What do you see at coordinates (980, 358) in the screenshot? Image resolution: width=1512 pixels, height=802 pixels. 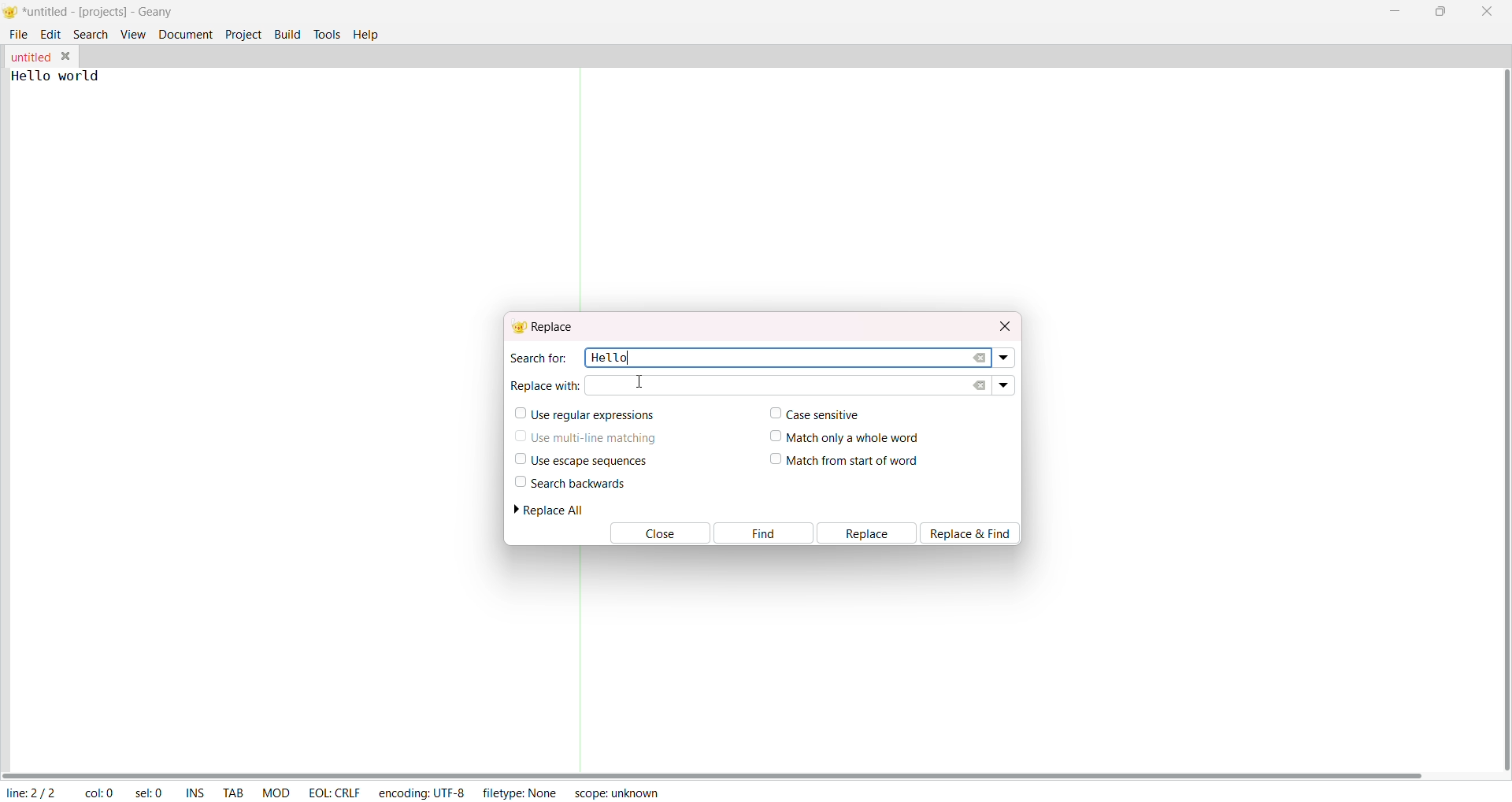 I see `clear search` at bounding box center [980, 358].